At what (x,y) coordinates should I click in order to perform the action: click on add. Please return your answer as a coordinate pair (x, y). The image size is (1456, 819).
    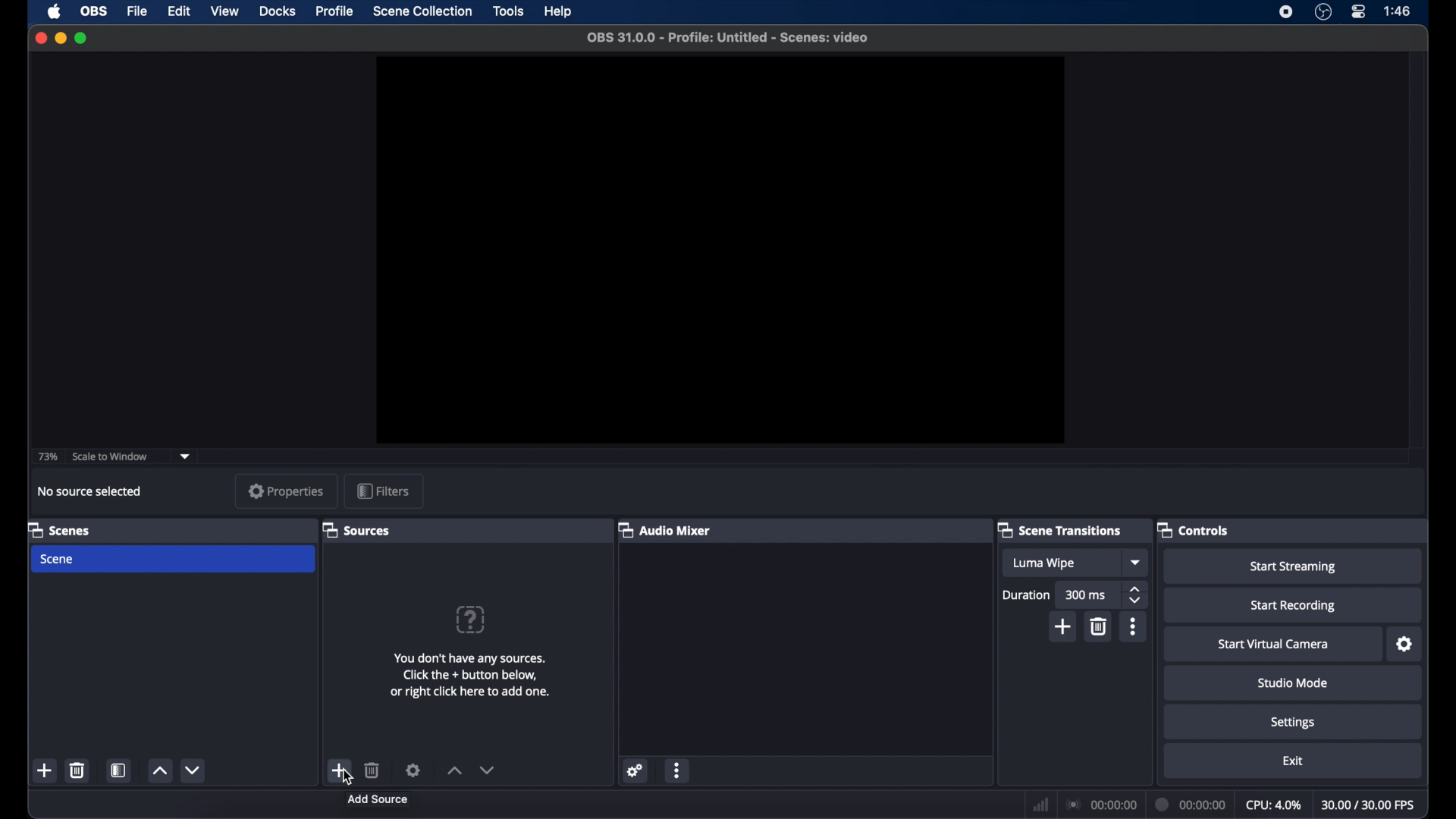
    Looking at the image, I should click on (338, 770).